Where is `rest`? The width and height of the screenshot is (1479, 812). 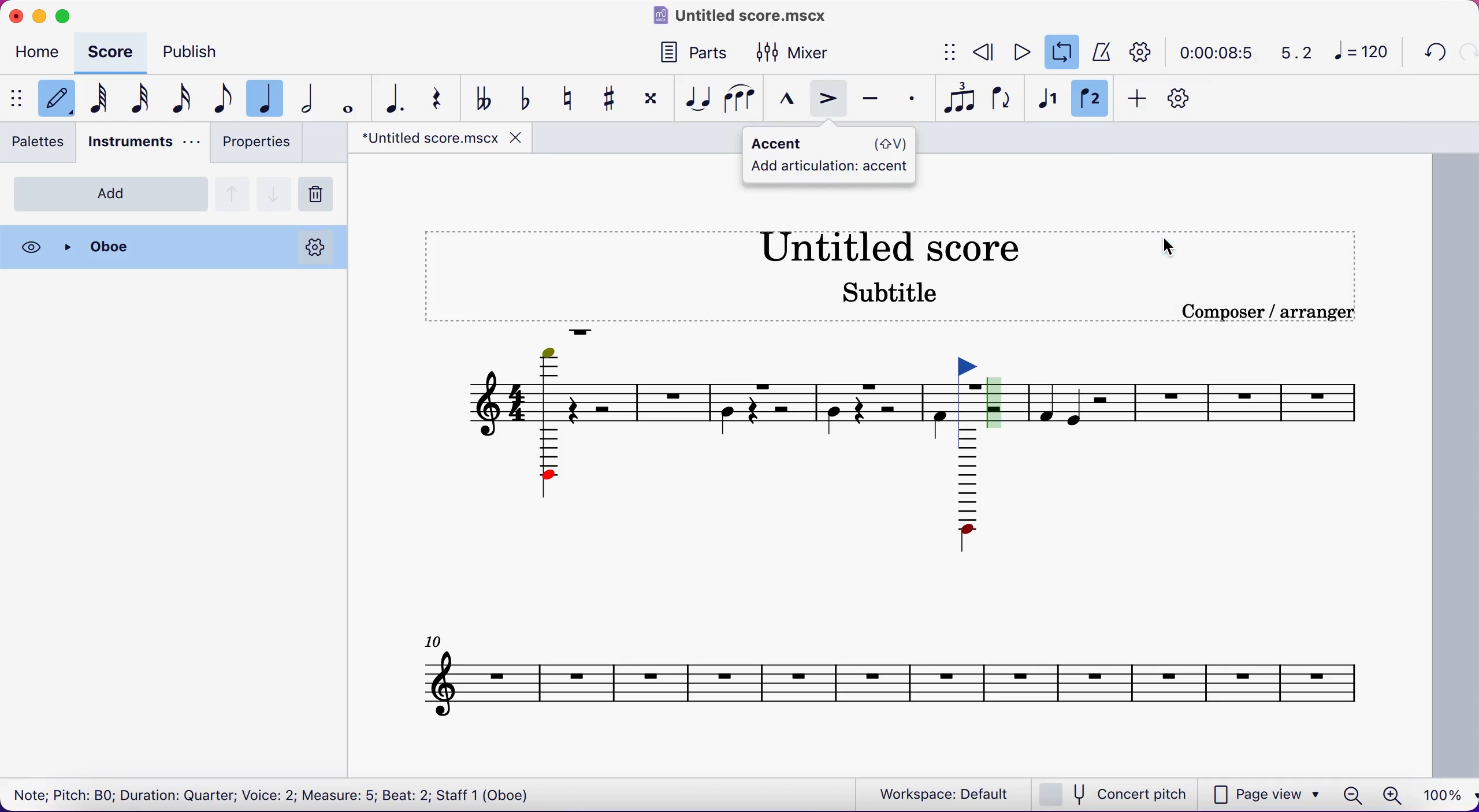 rest is located at coordinates (441, 97).